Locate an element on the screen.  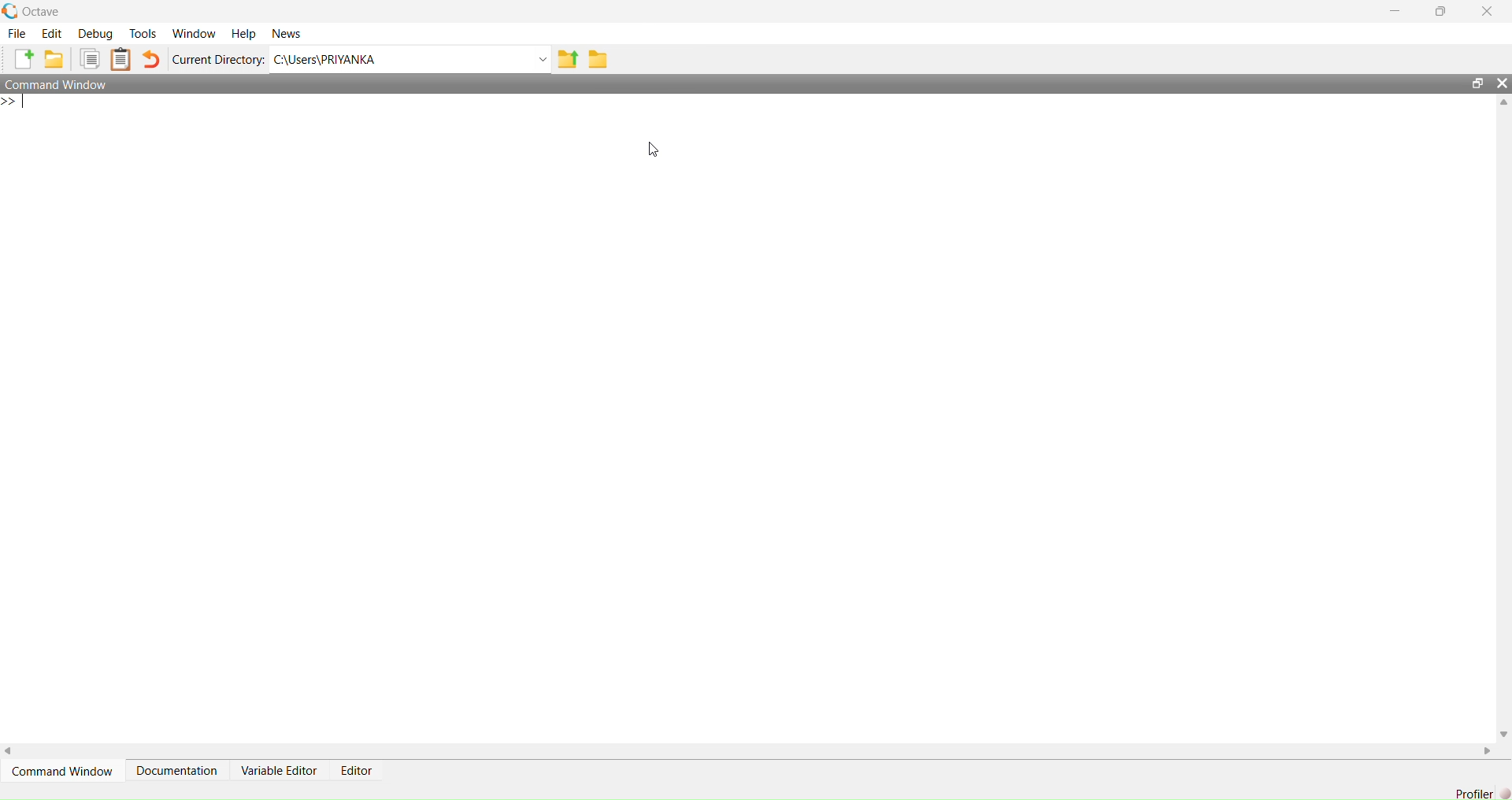
Editor is located at coordinates (356, 771).